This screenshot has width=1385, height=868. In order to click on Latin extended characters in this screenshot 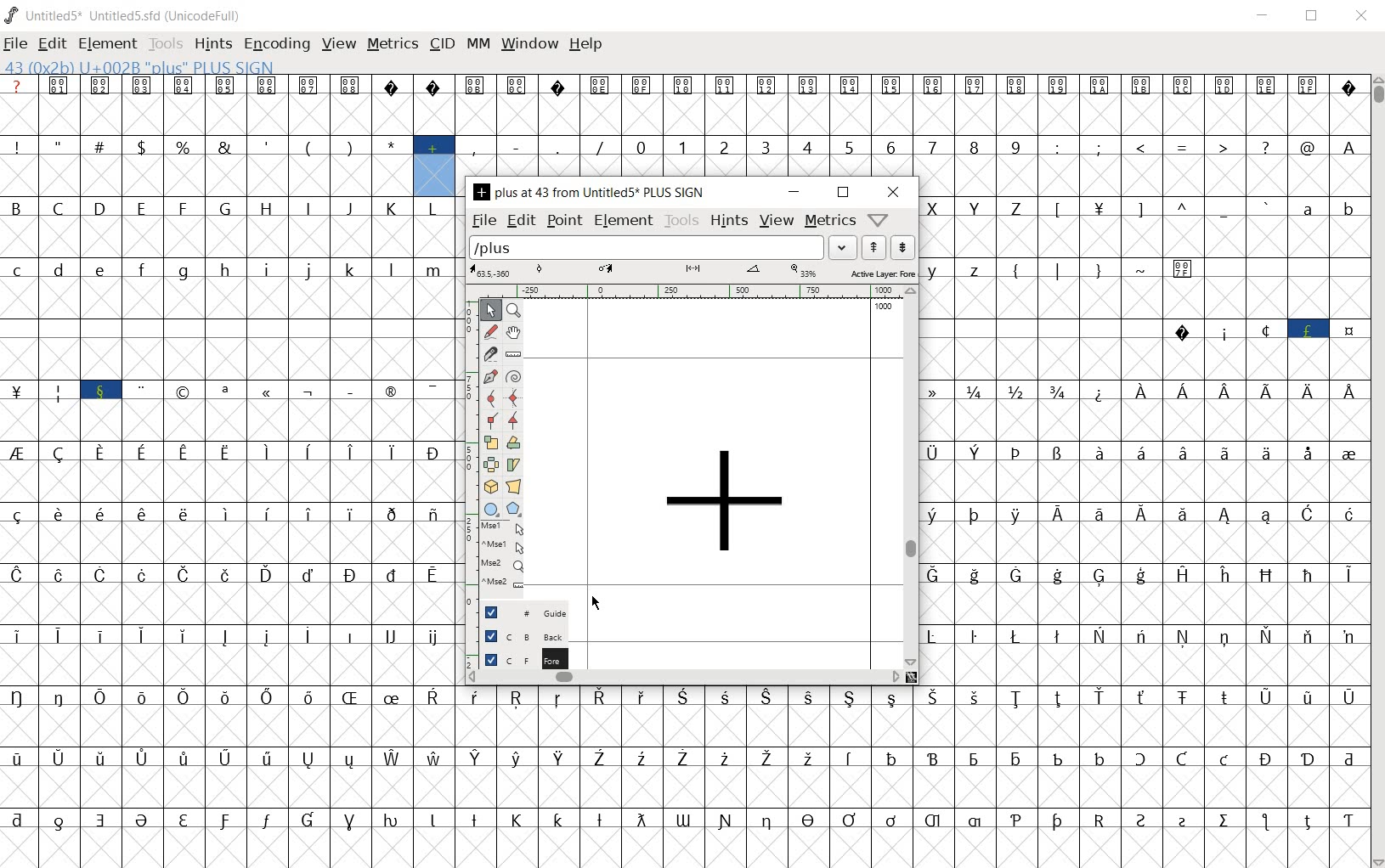, I will do `click(1206, 472)`.